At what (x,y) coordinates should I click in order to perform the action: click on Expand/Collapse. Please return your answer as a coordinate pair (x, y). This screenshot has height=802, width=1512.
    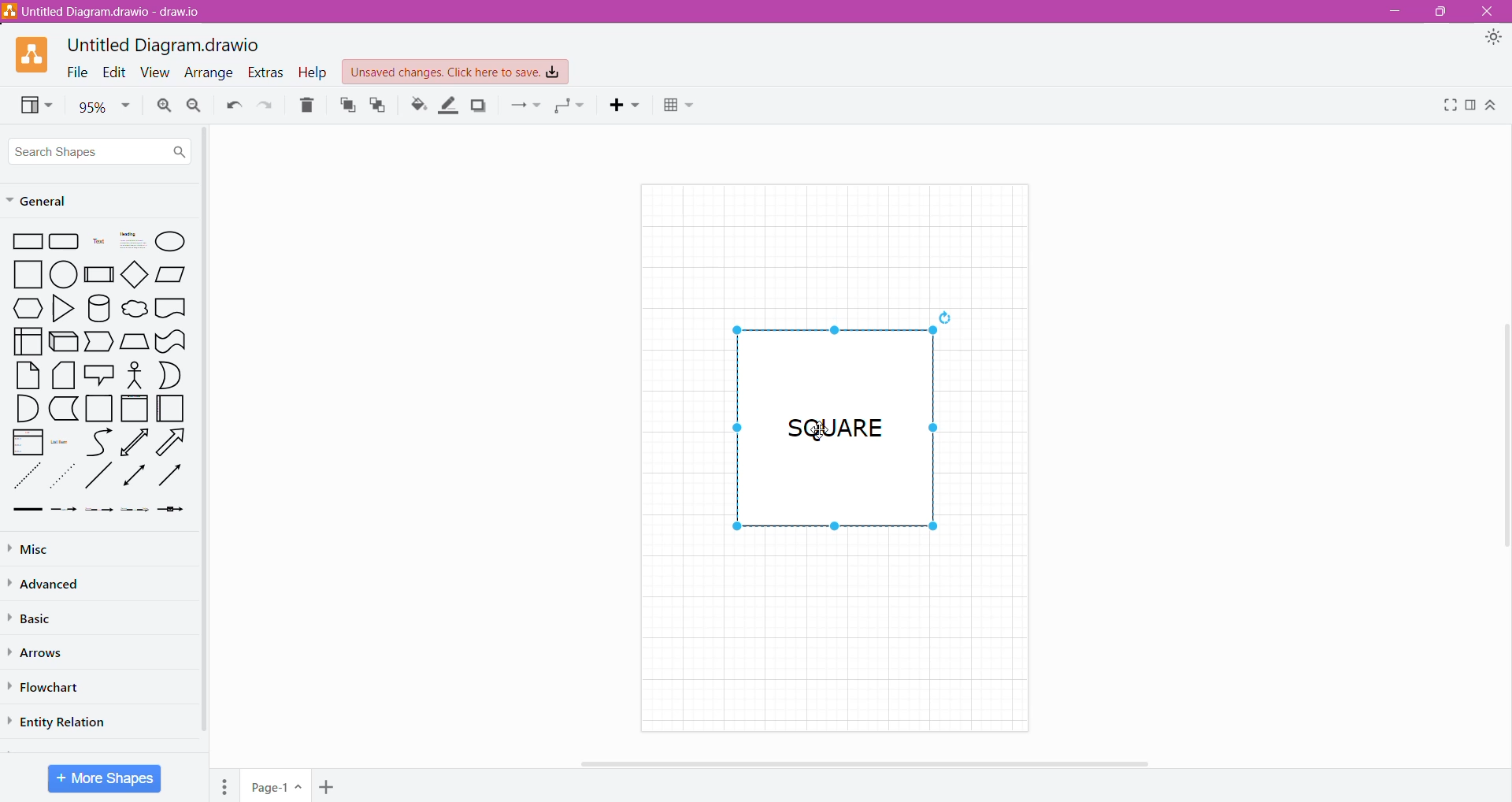
    Looking at the image, I should click on (1493, 109).